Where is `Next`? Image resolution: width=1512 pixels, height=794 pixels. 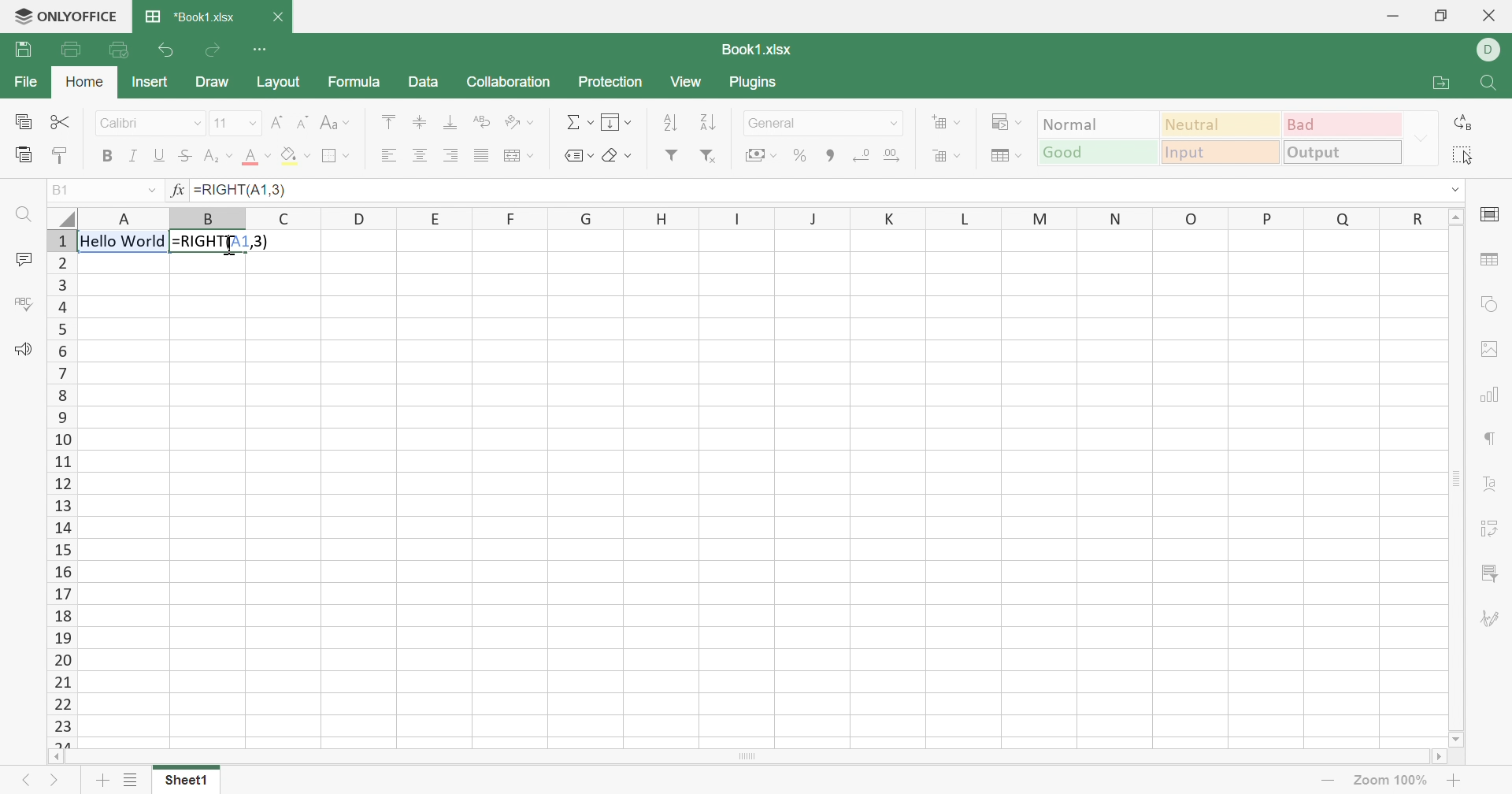 Next is located at coordinates (56, 781).